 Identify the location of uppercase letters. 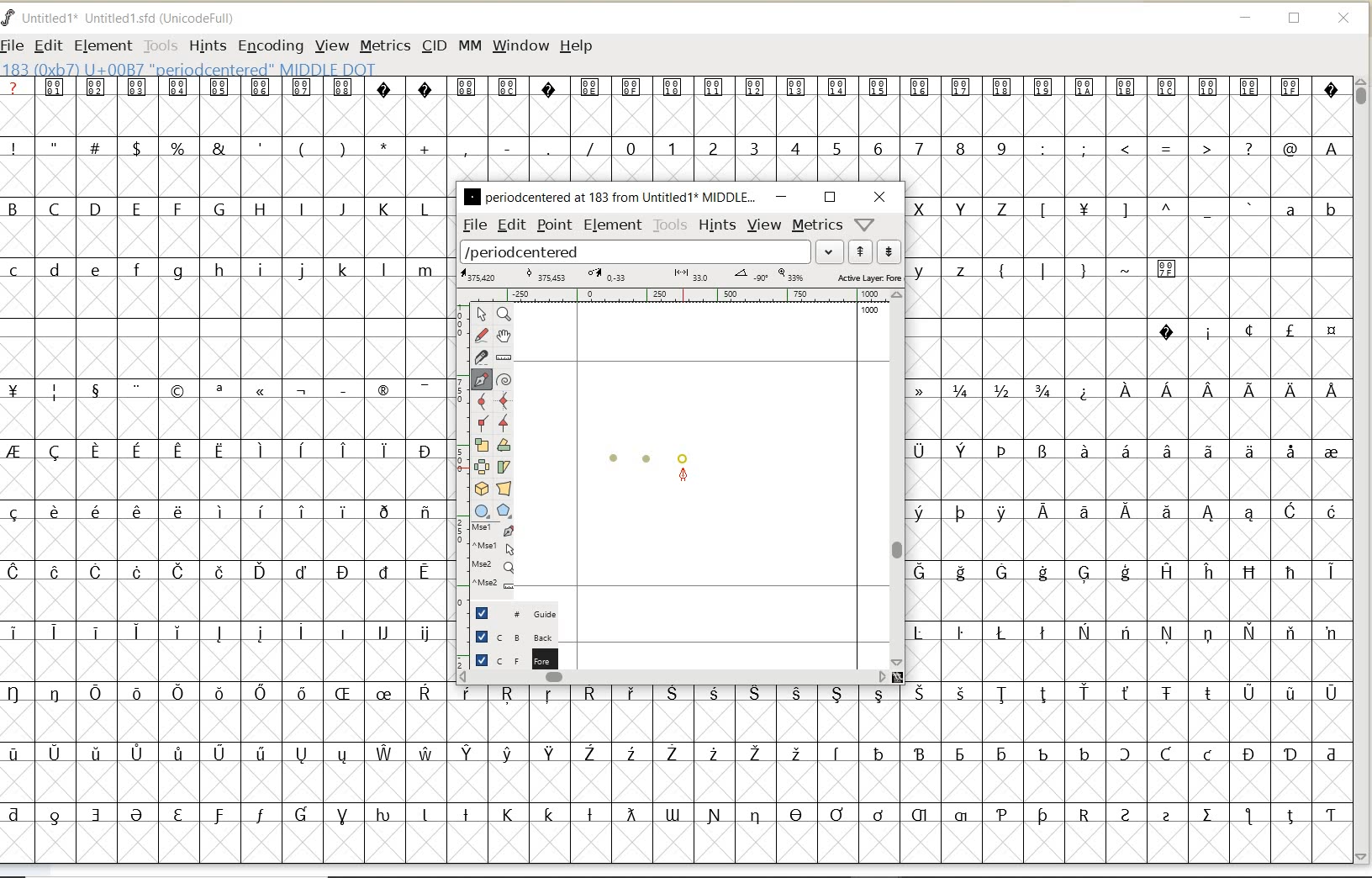
(221, 209).